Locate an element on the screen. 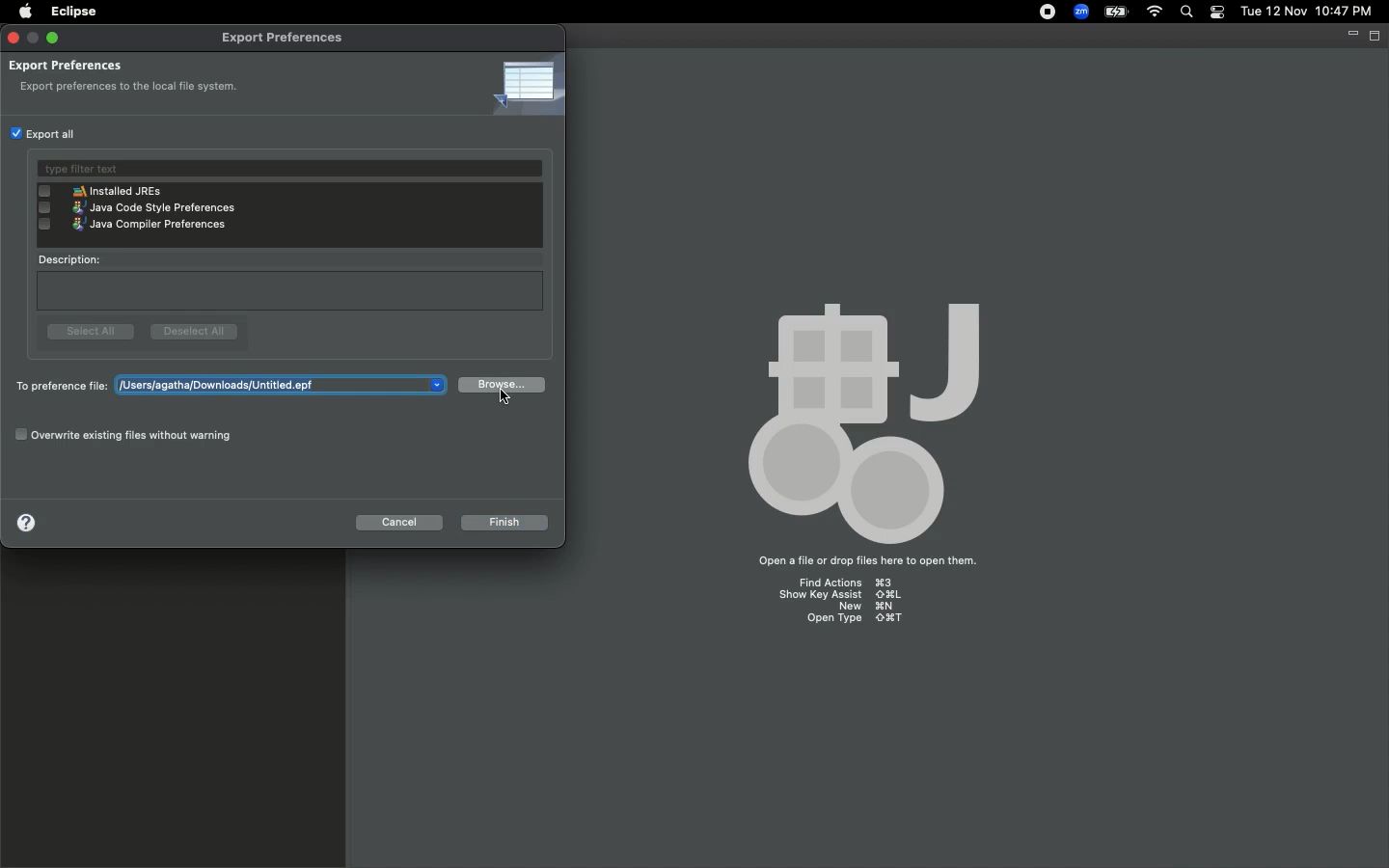 This screenshot has height=868, width=1389. Maximize is located at coordinates (1376, 37).